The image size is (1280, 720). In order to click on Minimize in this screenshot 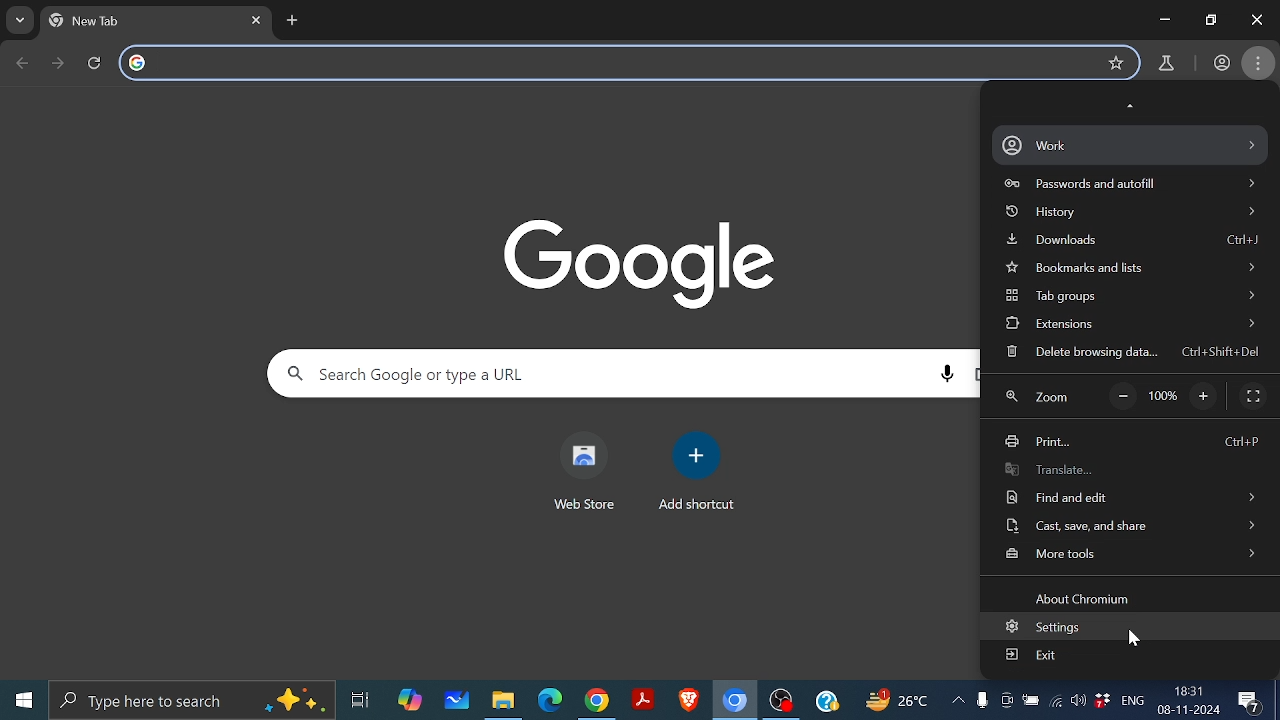, I will do `click(1164, 21)`.